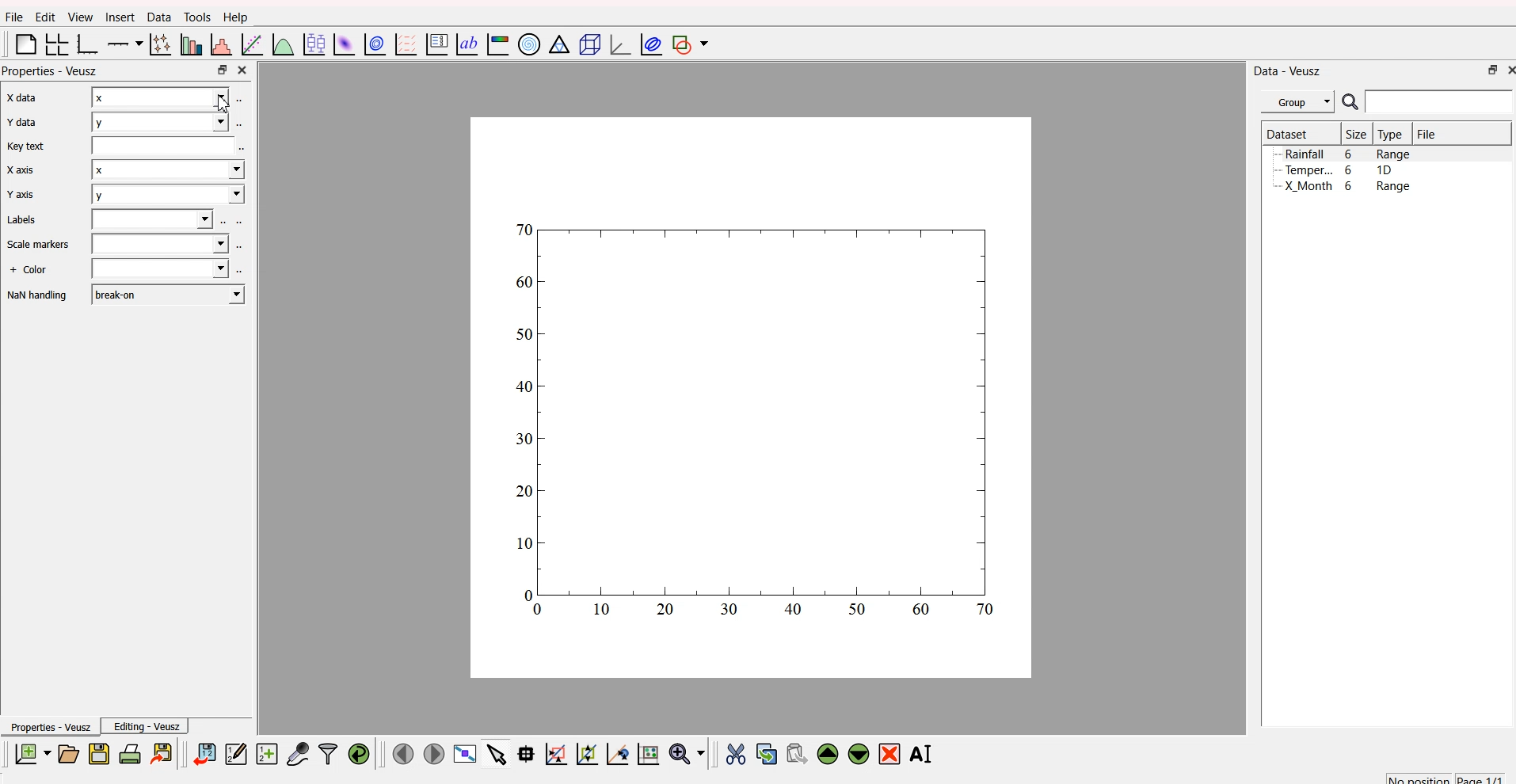  Describe the element at coordinates (856, 755) in the screenshot. I see `move down the widget ` at that location.